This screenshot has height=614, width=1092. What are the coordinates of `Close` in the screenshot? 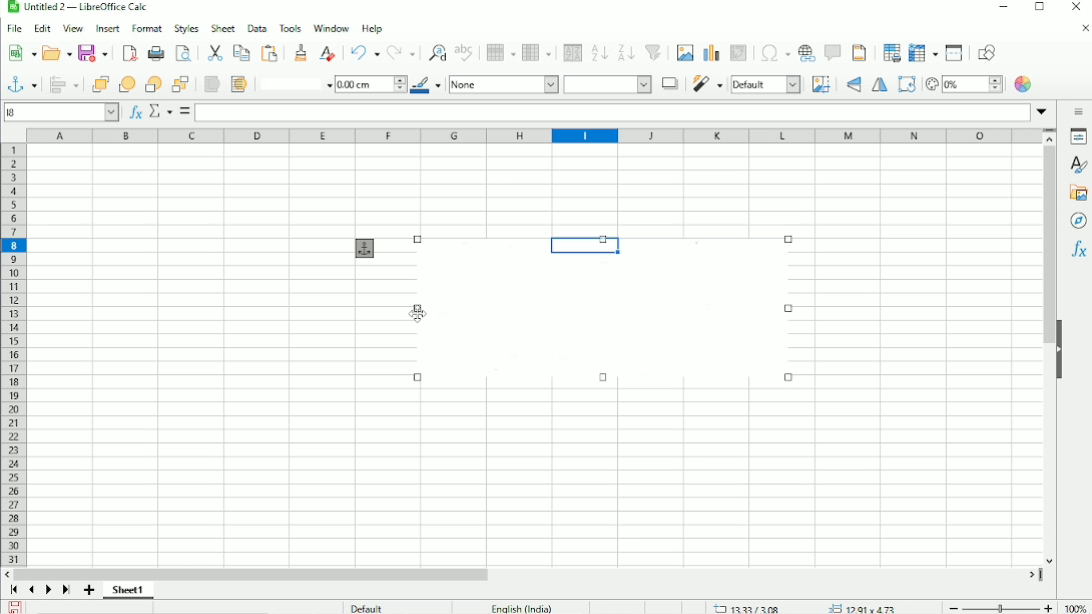 It's located at (1076, 7).